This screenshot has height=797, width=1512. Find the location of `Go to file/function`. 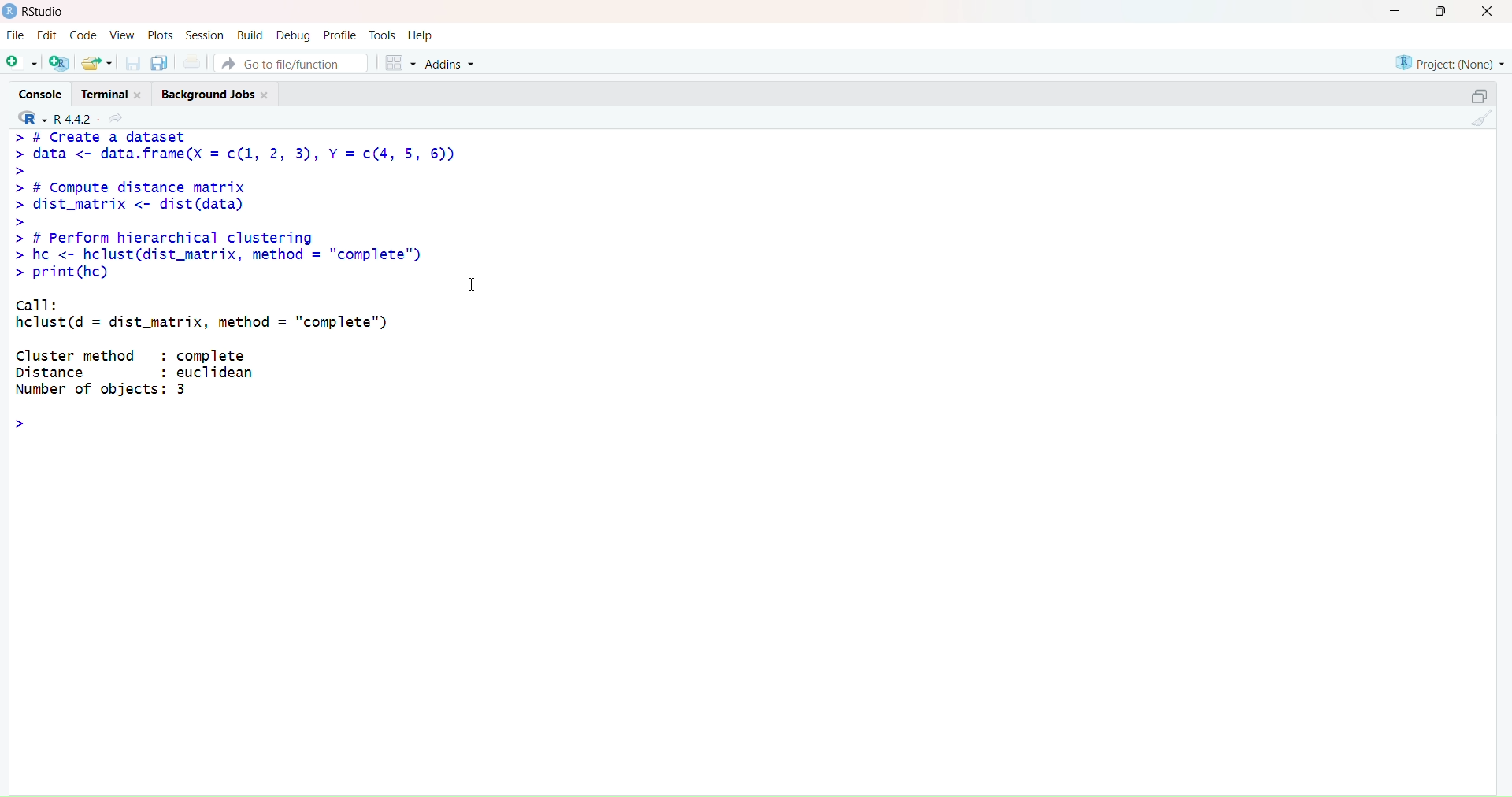

Go to file/function is located at coordinates (296, 61).